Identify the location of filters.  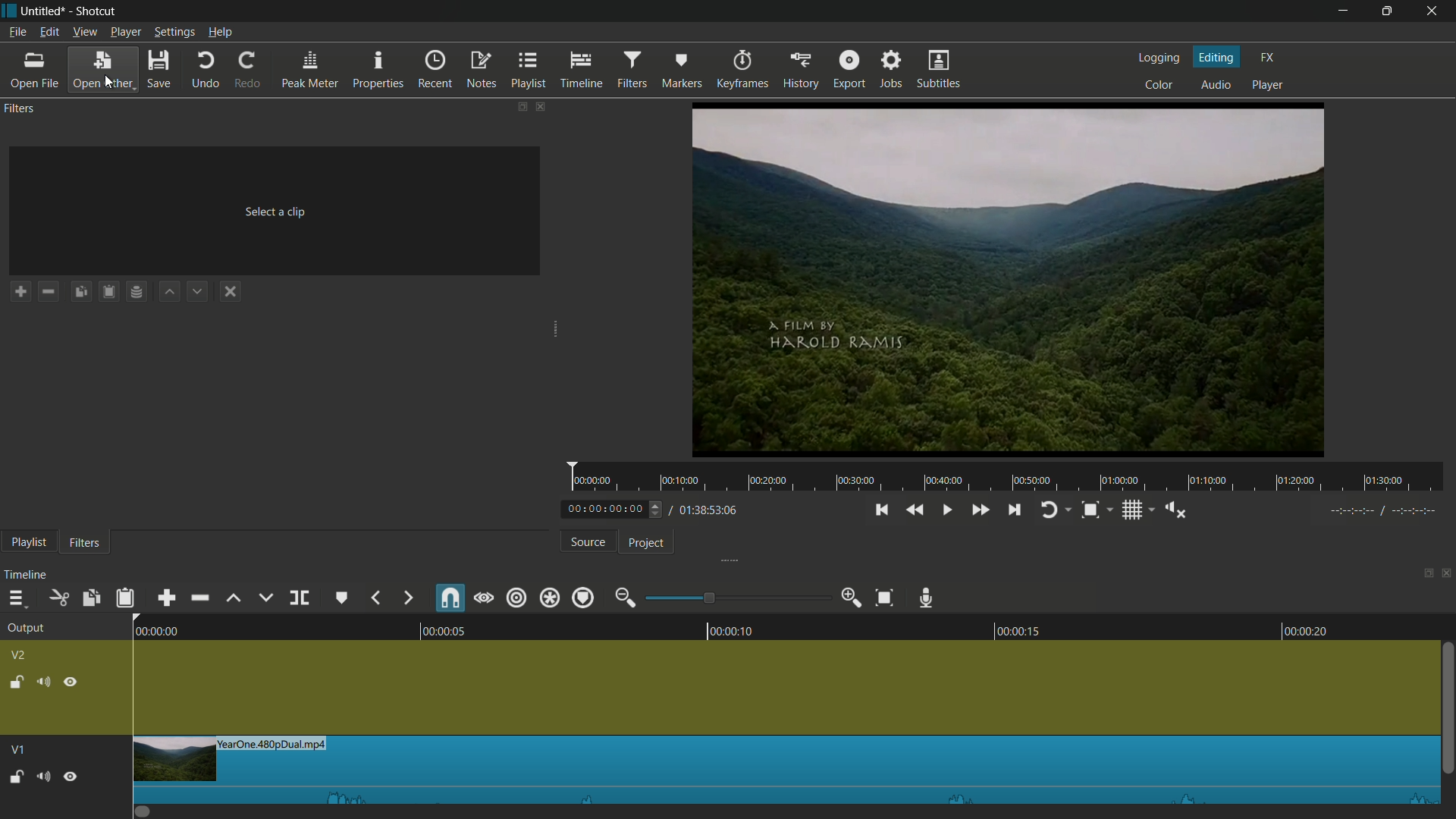
(21, 109).